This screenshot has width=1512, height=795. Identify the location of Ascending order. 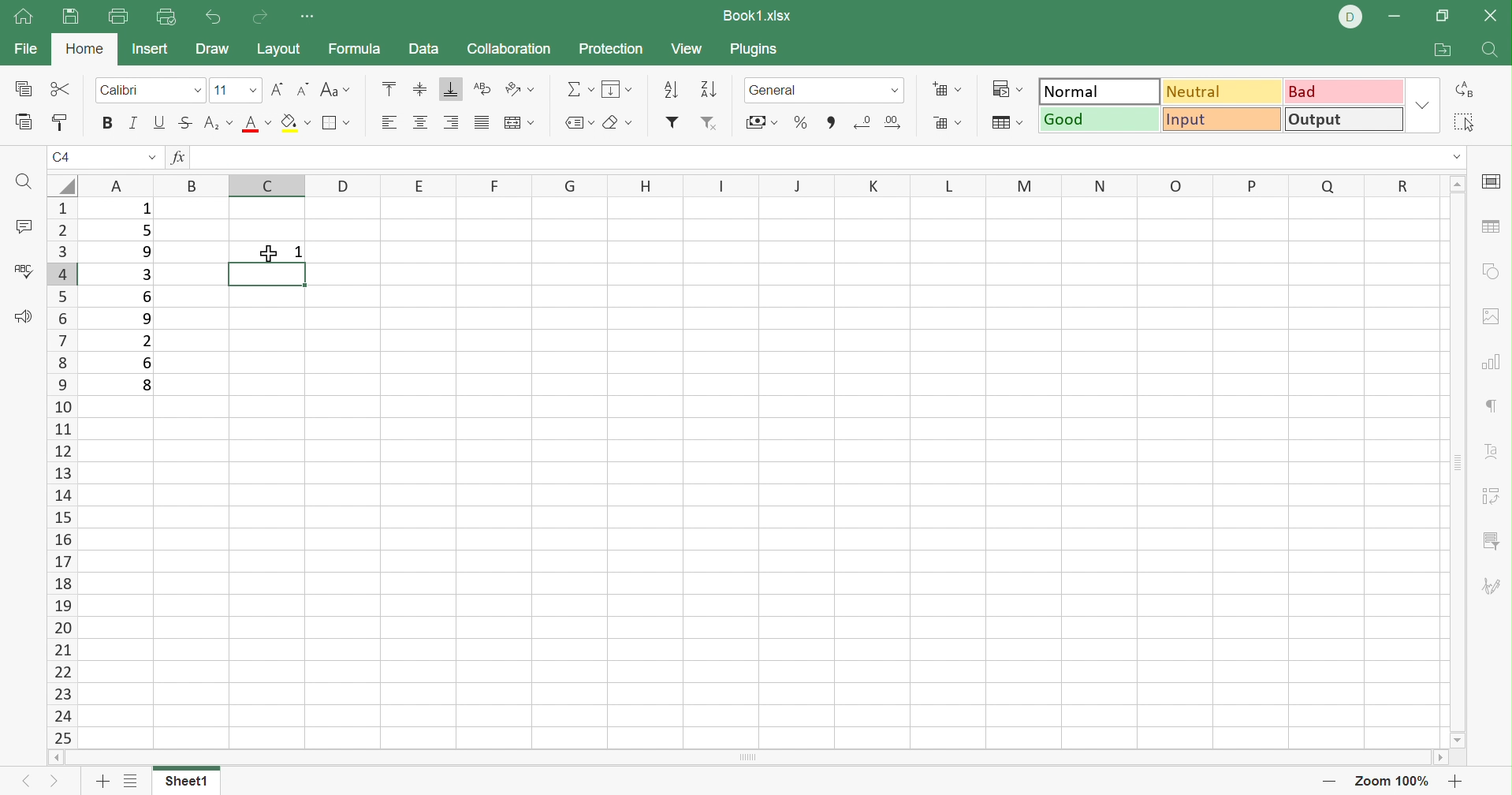
(671, 91).